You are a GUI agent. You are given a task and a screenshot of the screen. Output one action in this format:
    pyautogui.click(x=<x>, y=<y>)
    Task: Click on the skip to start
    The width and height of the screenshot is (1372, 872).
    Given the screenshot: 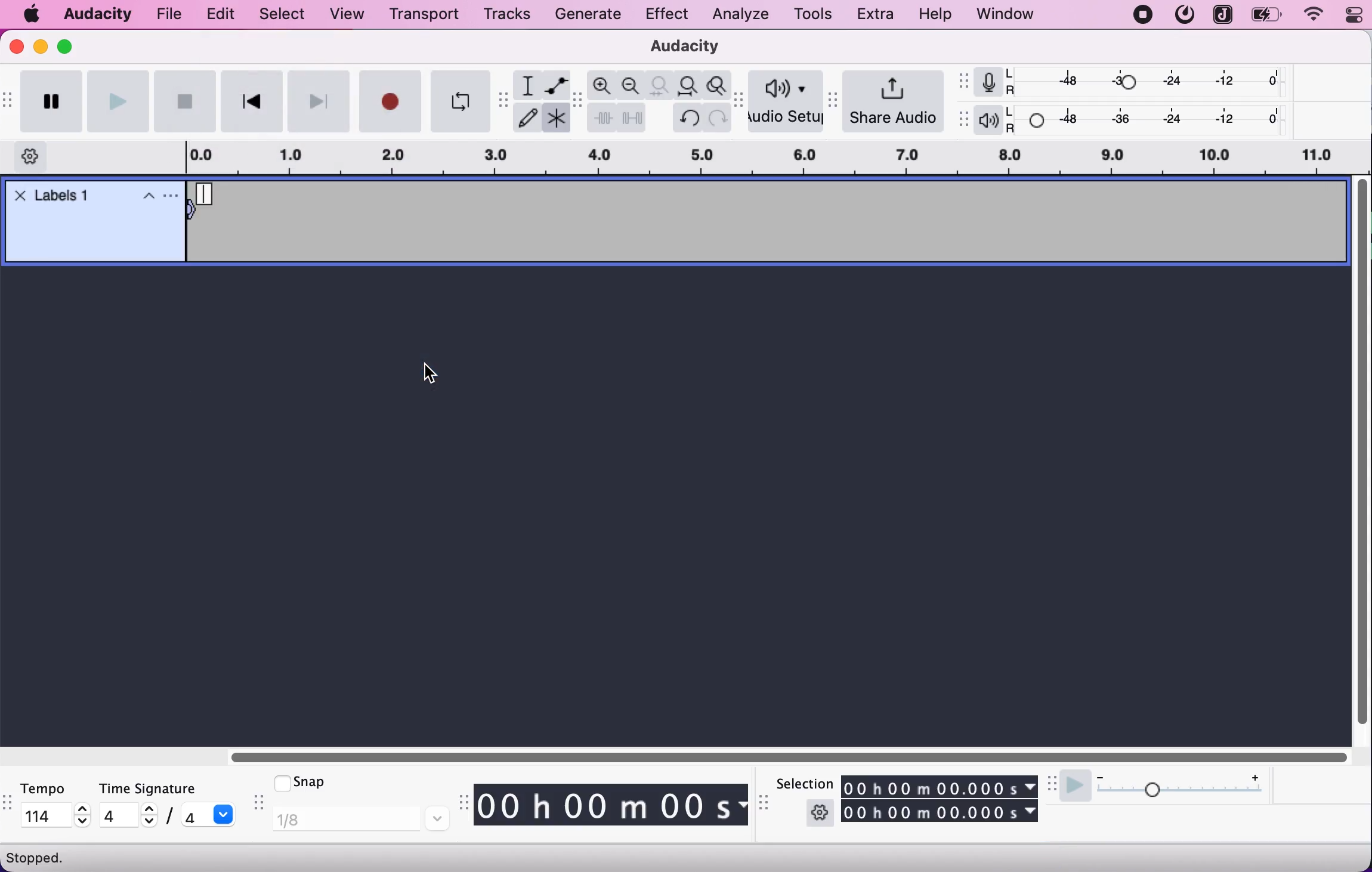 What is the action you would take?
    pyautogui.click(x=254, y=101)
    